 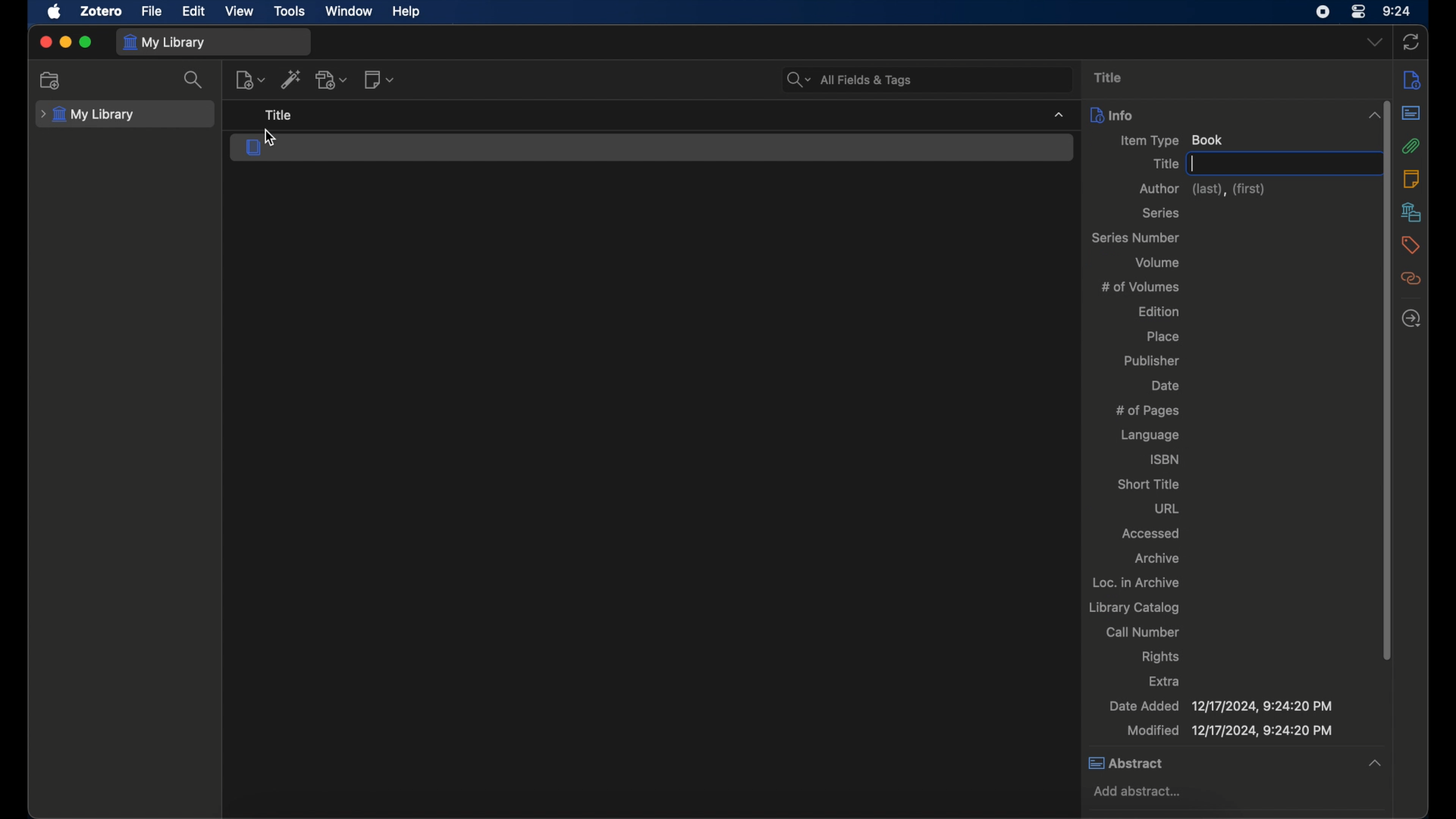 I want to click on control center, so click(x=1359, y=11).